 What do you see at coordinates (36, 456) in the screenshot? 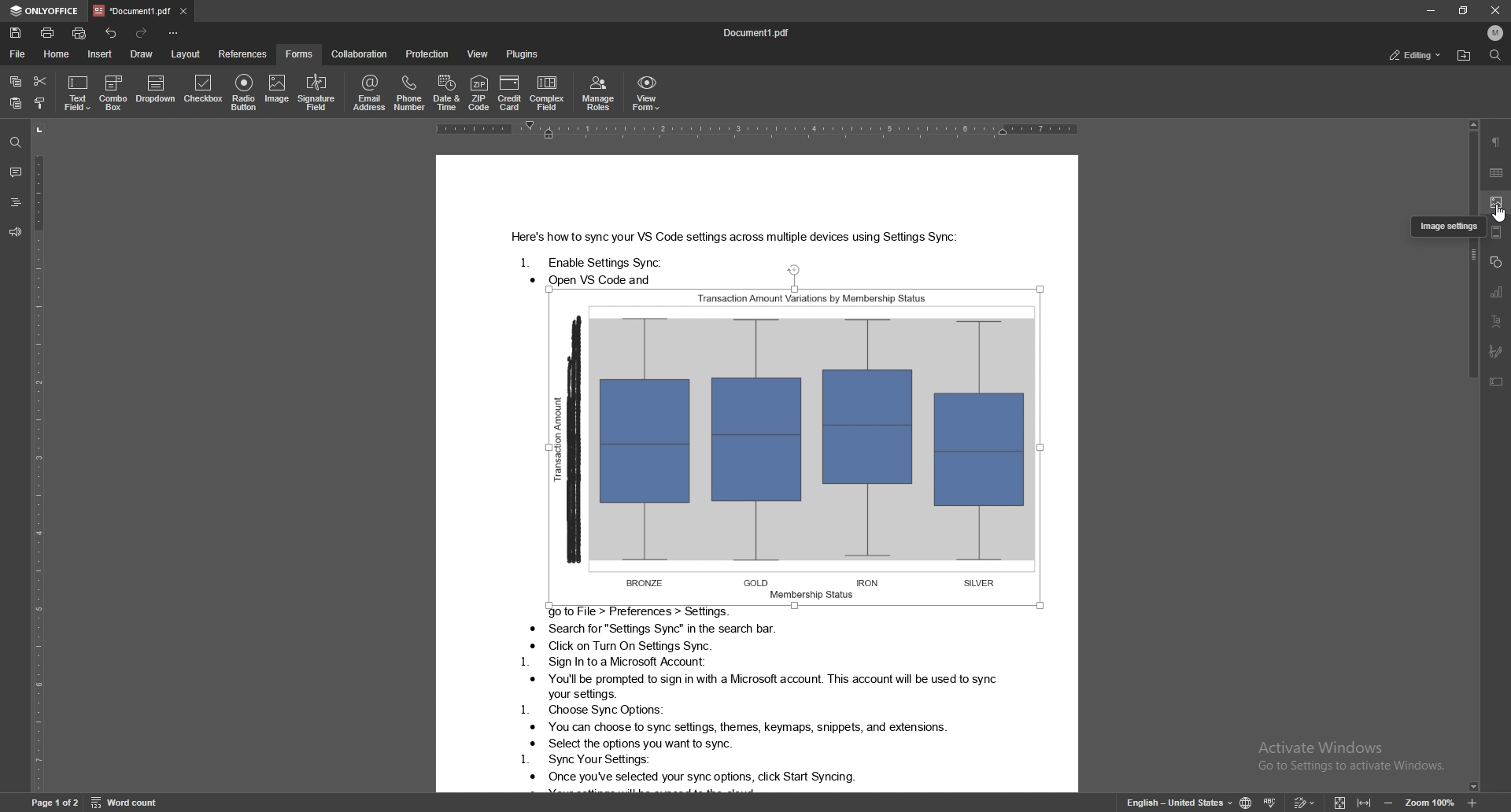
I see `vertical scale` at bounding box center [36, 456].